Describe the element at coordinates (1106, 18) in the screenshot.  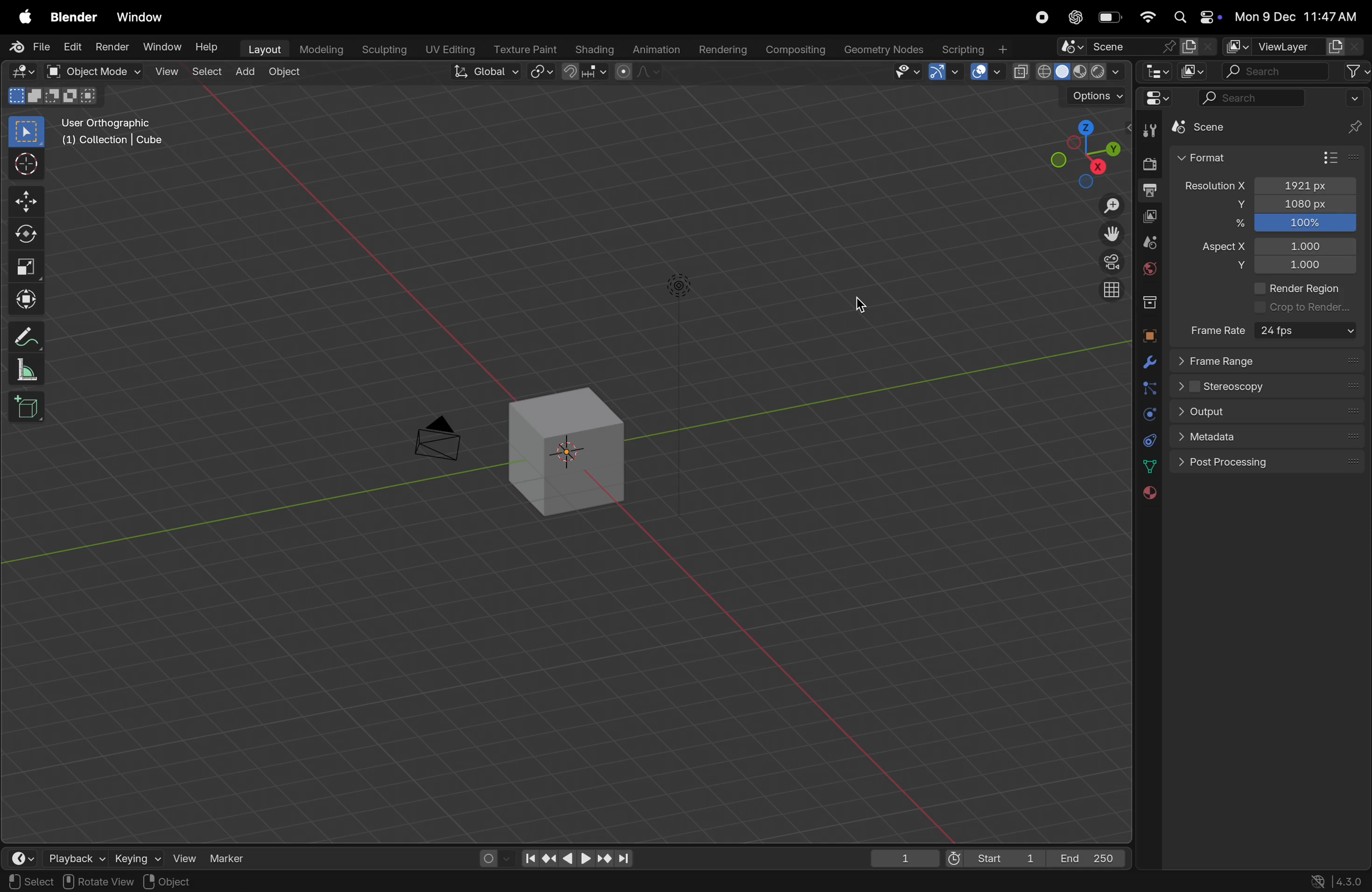
I see `battery` at that location.